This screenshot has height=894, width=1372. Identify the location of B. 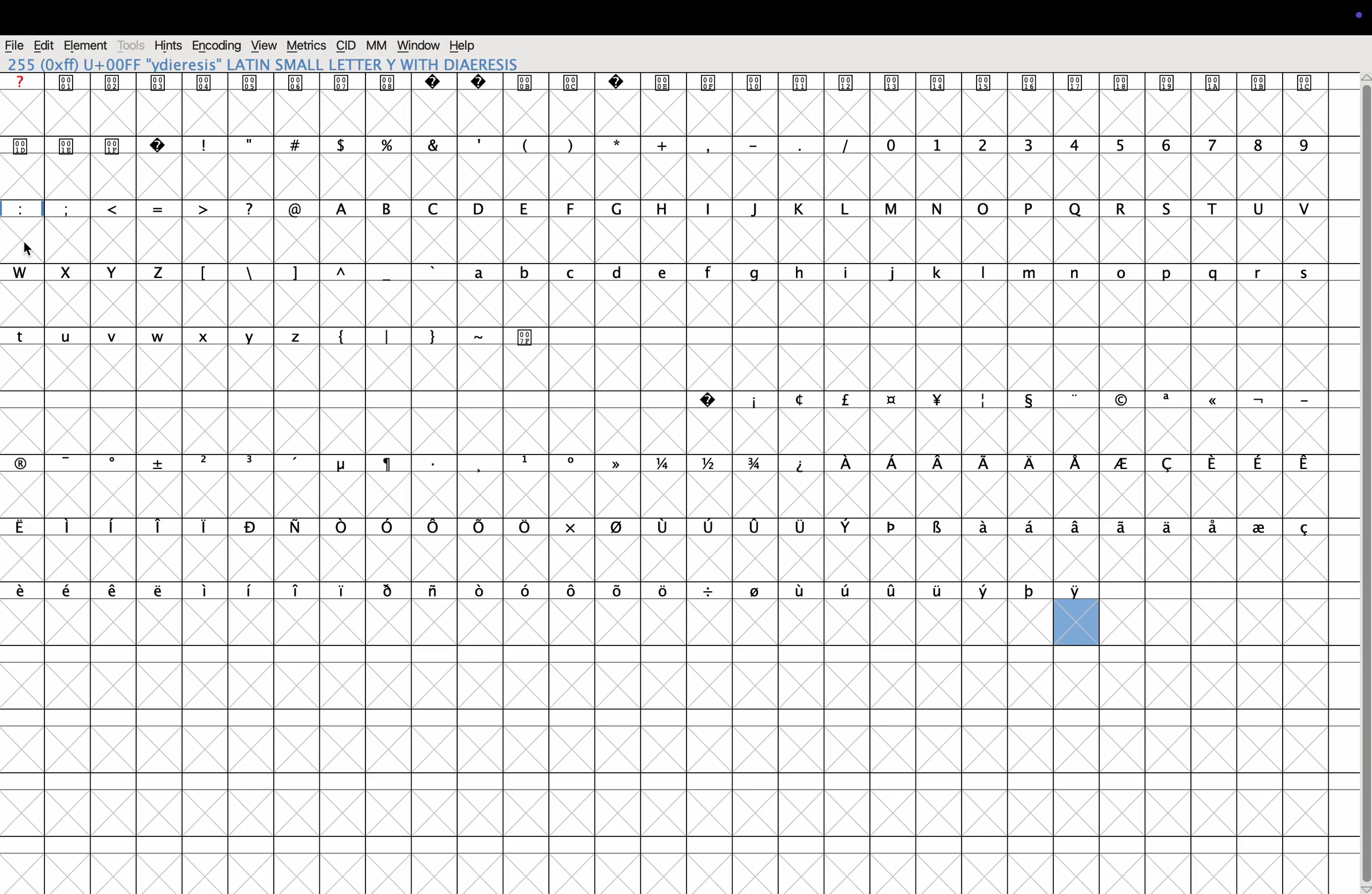
(389, 231).